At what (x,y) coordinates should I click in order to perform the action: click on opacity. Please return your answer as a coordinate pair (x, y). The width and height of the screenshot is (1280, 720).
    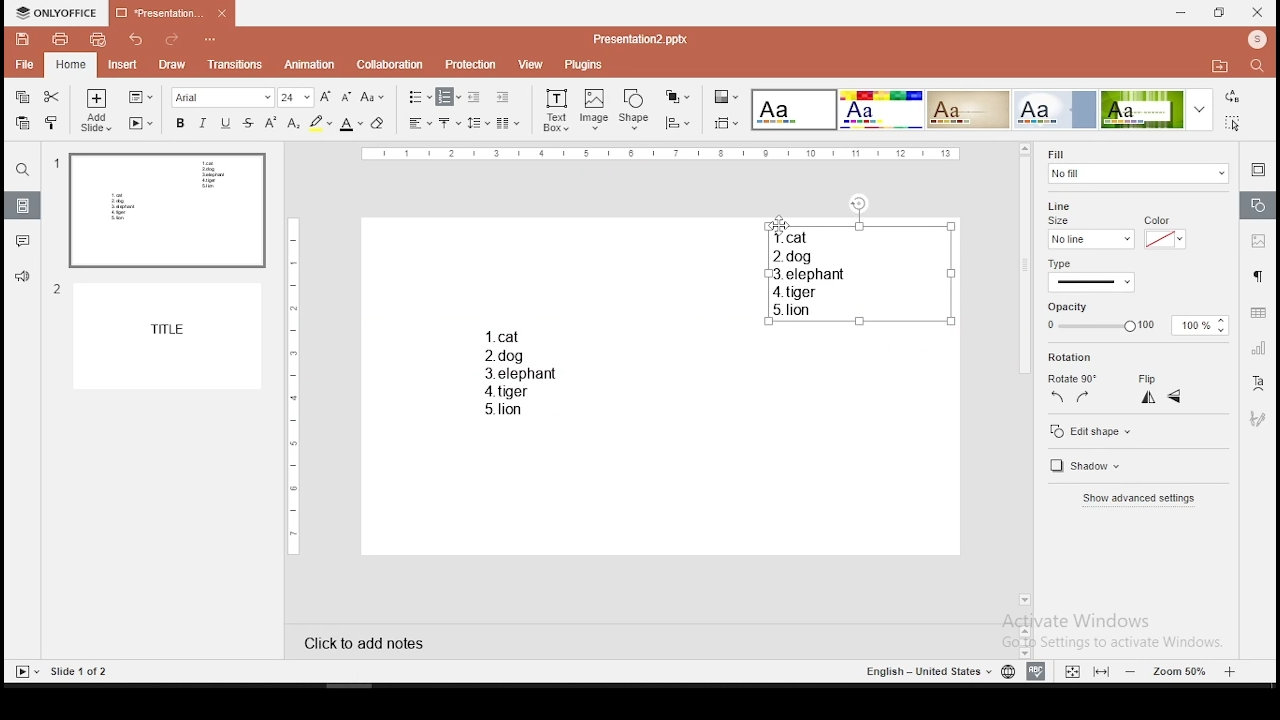
    Looking at the image, I should click on (1138, 318).